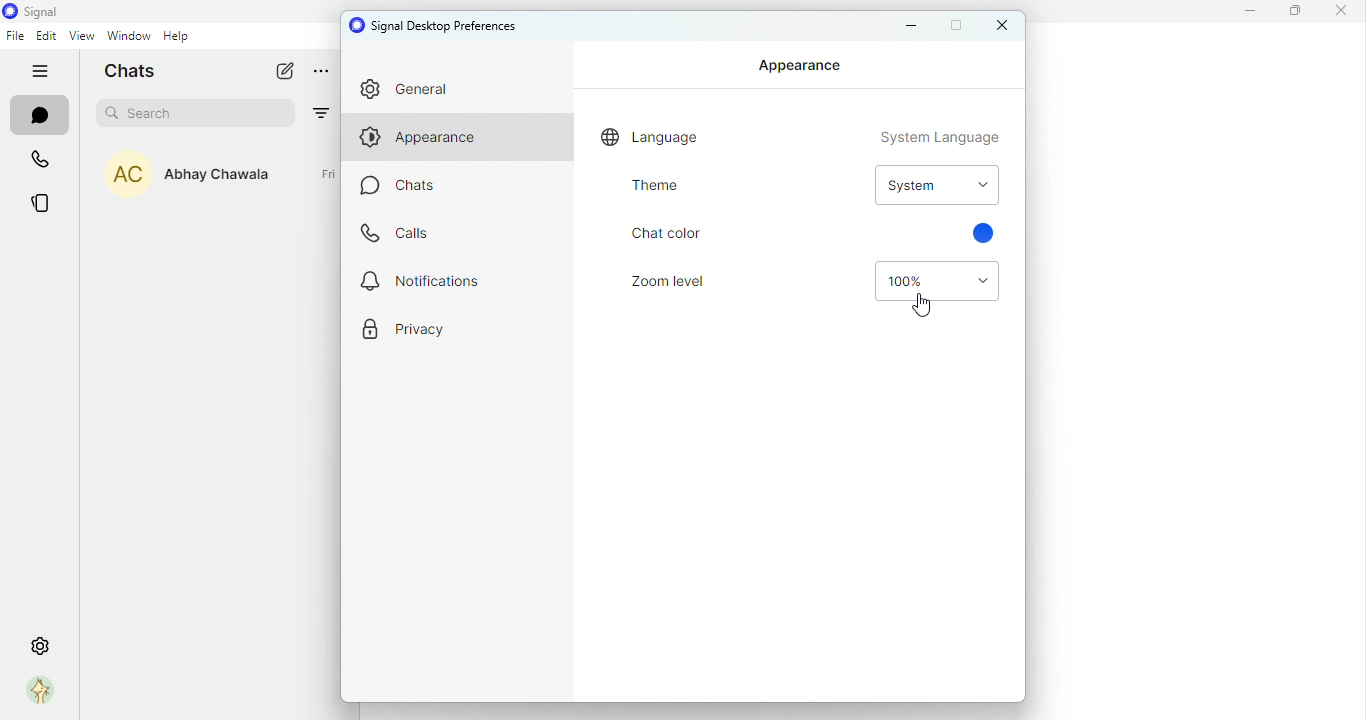 This screenshot has height=720, width=1366. Describe the element at coordinates (933, 187) in the screenshot. I see `Drop down` at that location.